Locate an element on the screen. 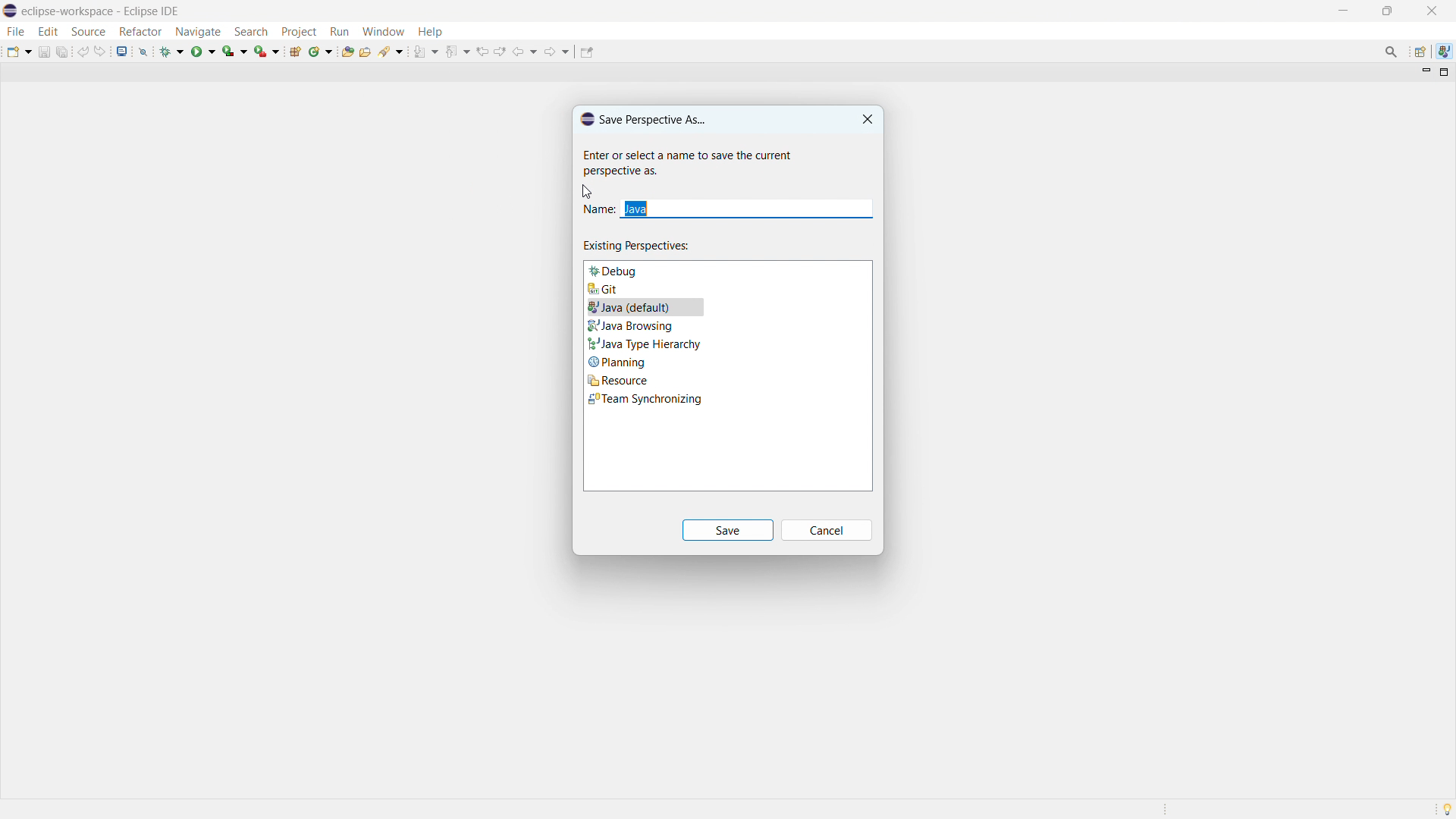 The height and width of the screenshot is (819, 1456). file is located at coordinates (17, 32).